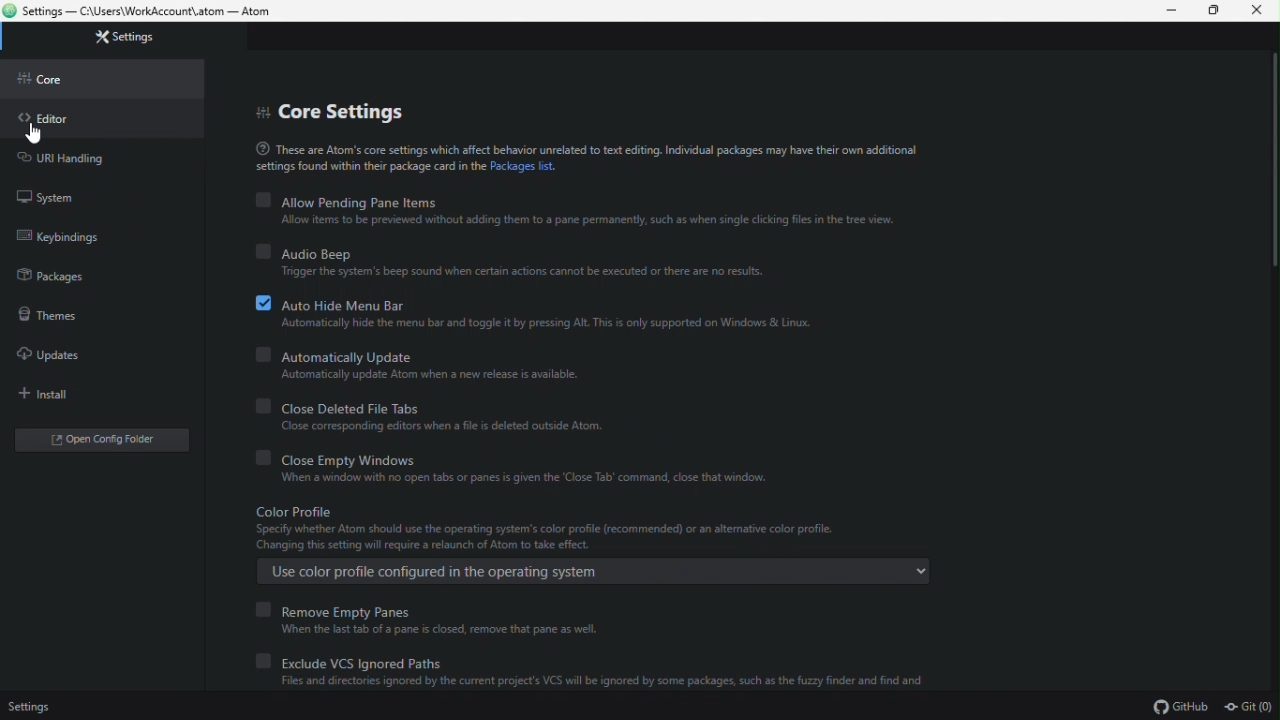 Image resolution: width=1280 pixels, height=720 pixels. I want to click on Open folder, so click(107, 443).